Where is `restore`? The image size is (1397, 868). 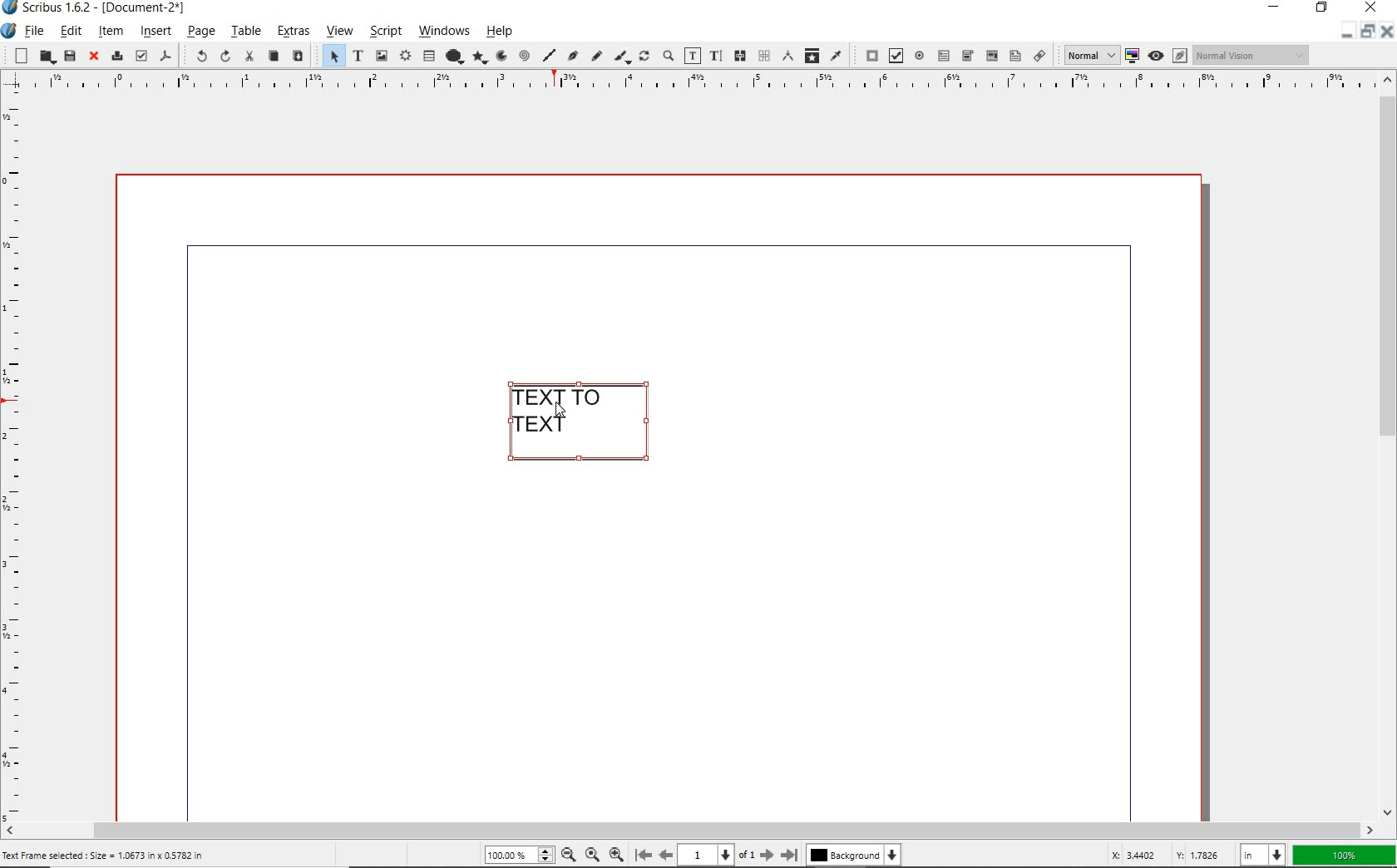 restore is located at coordinates (1370, 34).